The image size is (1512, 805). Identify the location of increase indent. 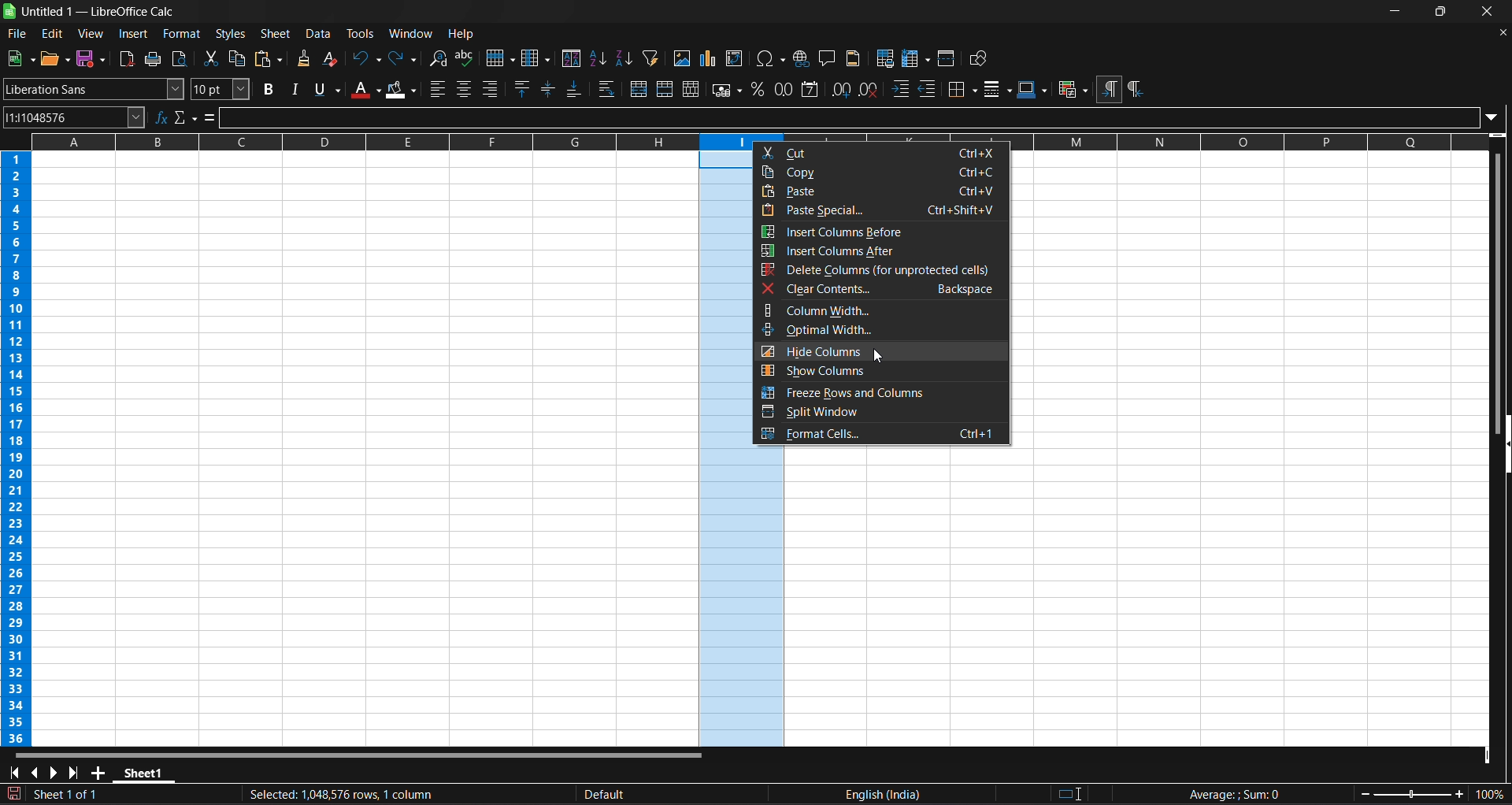
(900, 87).